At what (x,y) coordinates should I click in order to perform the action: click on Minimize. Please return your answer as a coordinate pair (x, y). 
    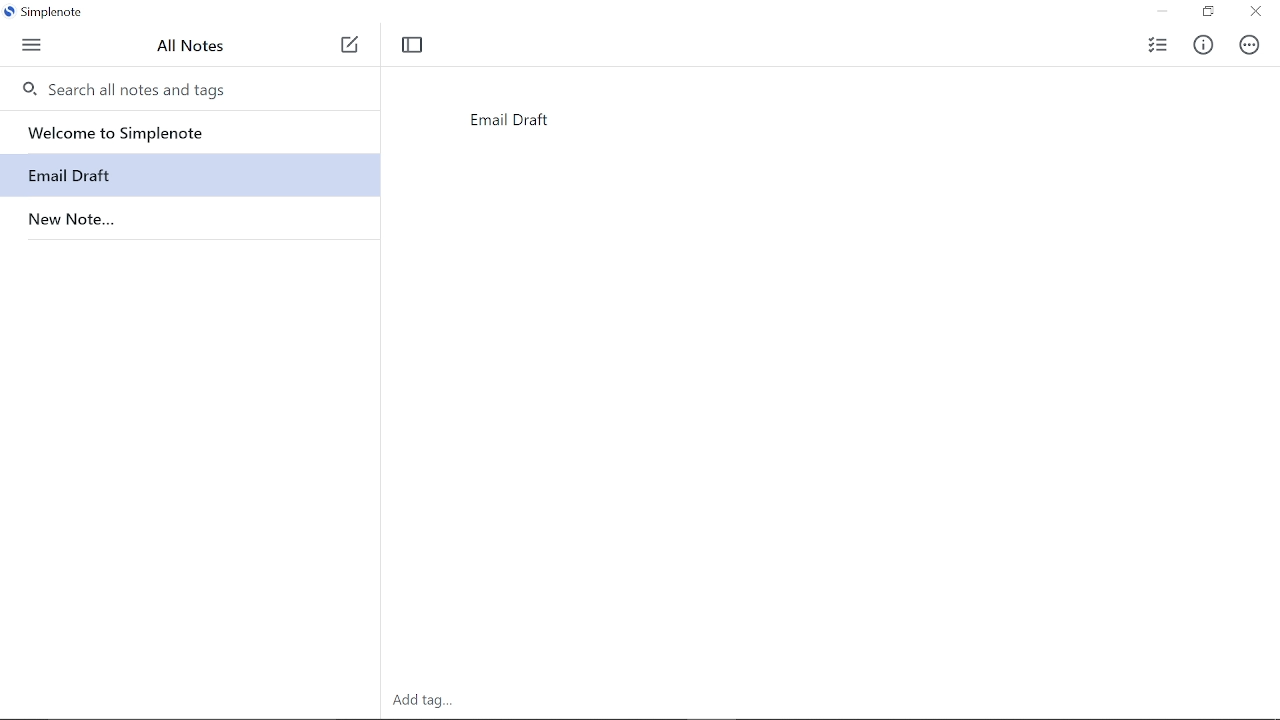
    Looking at the image, I should click on (1162, 12).